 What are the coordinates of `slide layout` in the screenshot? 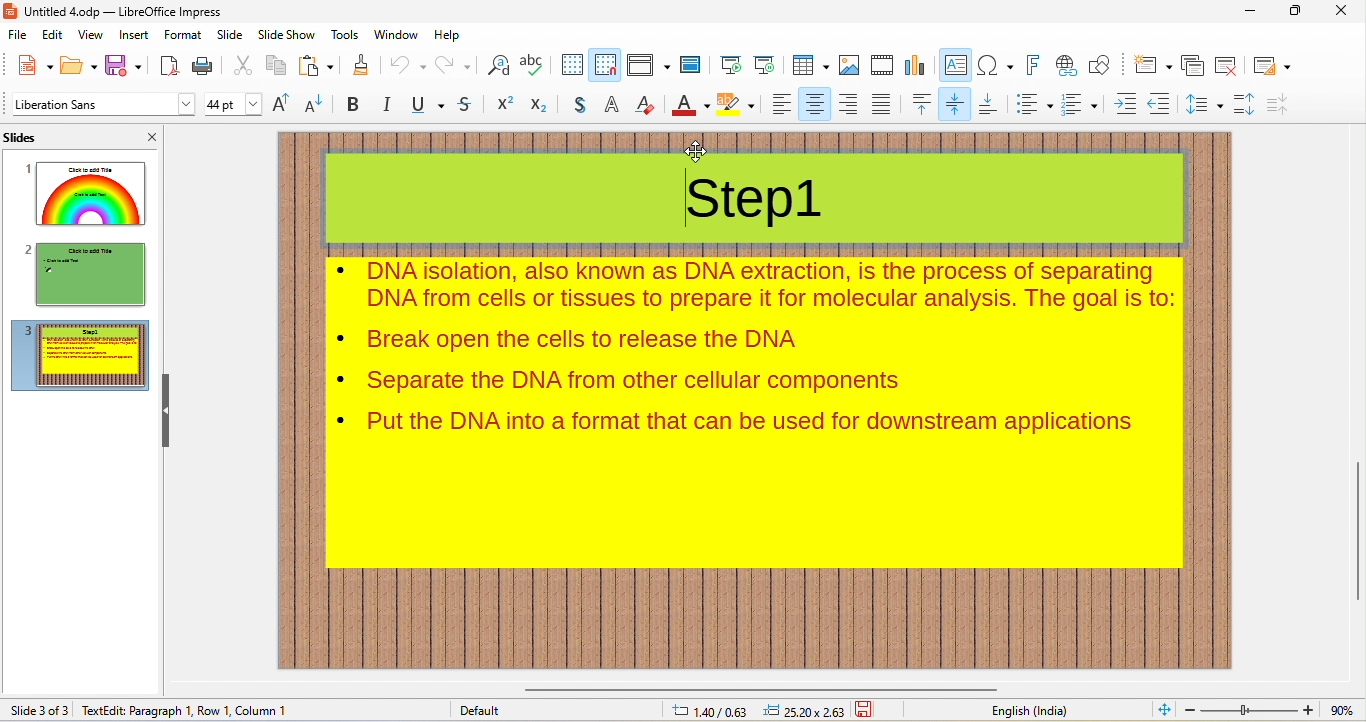 It's located at (1272, 66).